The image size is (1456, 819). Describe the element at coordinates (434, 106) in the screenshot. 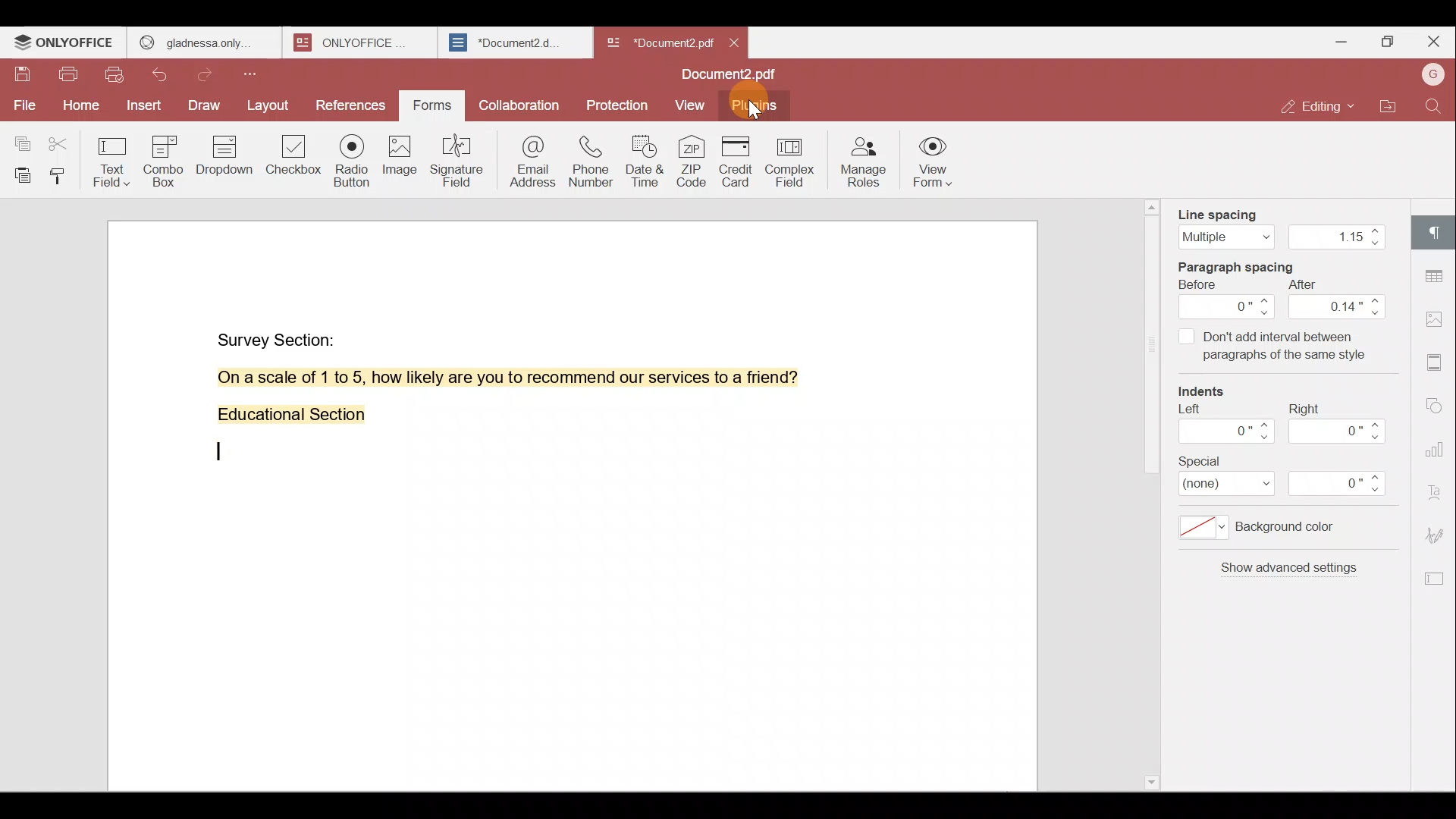

I see `Forms` at that location.